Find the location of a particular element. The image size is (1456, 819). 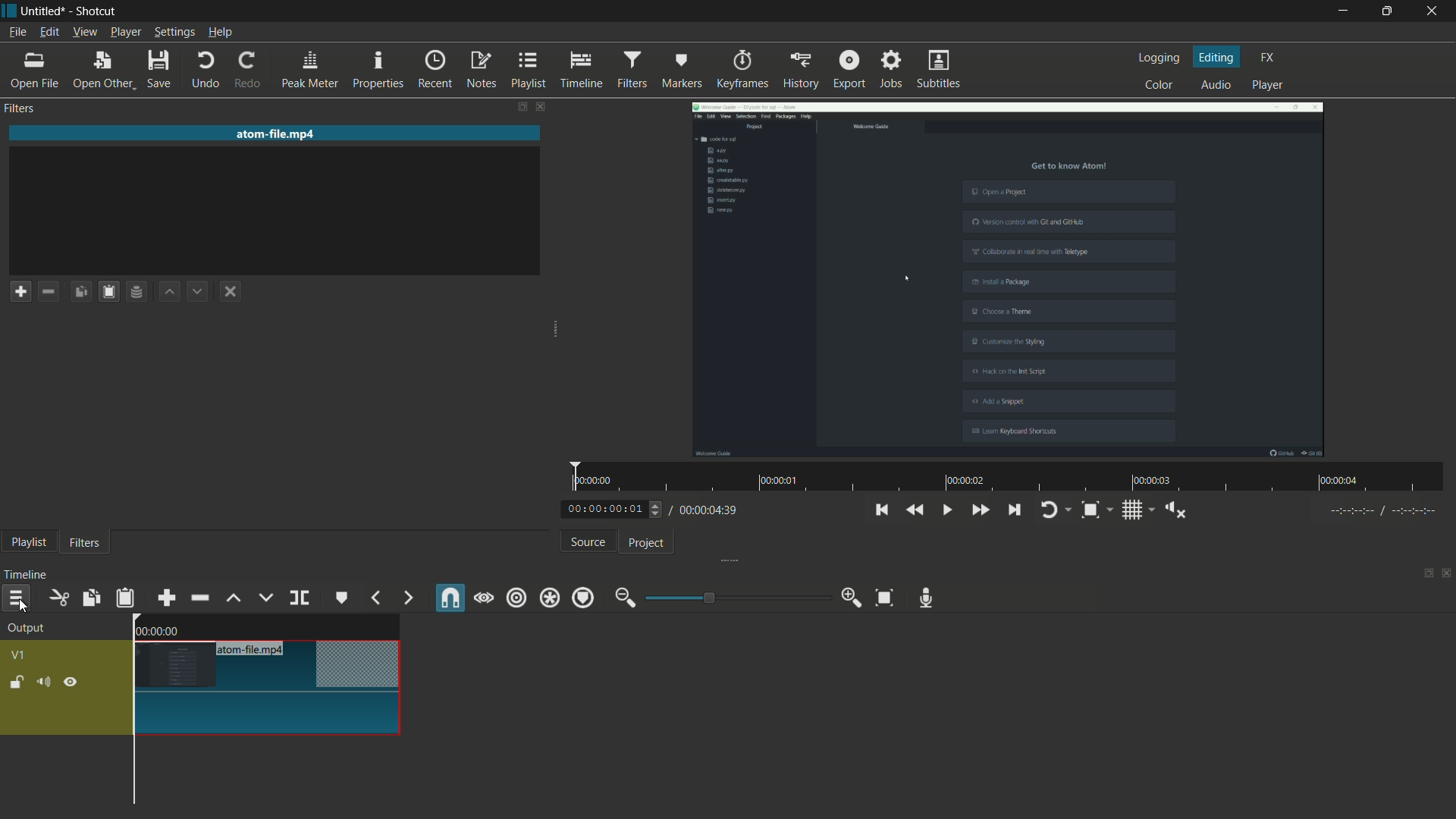

zoom in is located at coordinates (854, 598).